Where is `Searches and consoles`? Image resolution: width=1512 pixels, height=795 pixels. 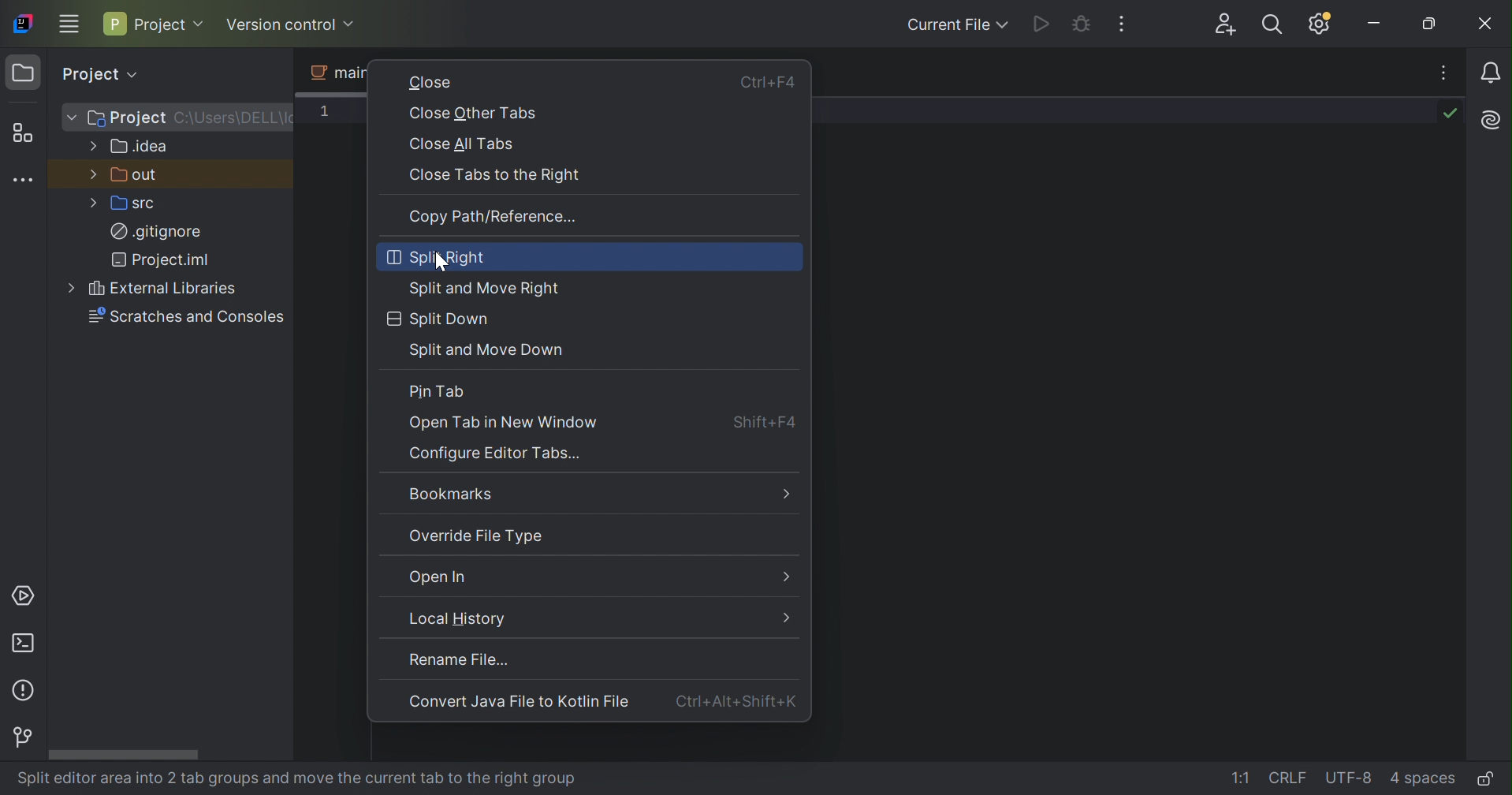 Searches and consoles is located at coordinates (190, 321).